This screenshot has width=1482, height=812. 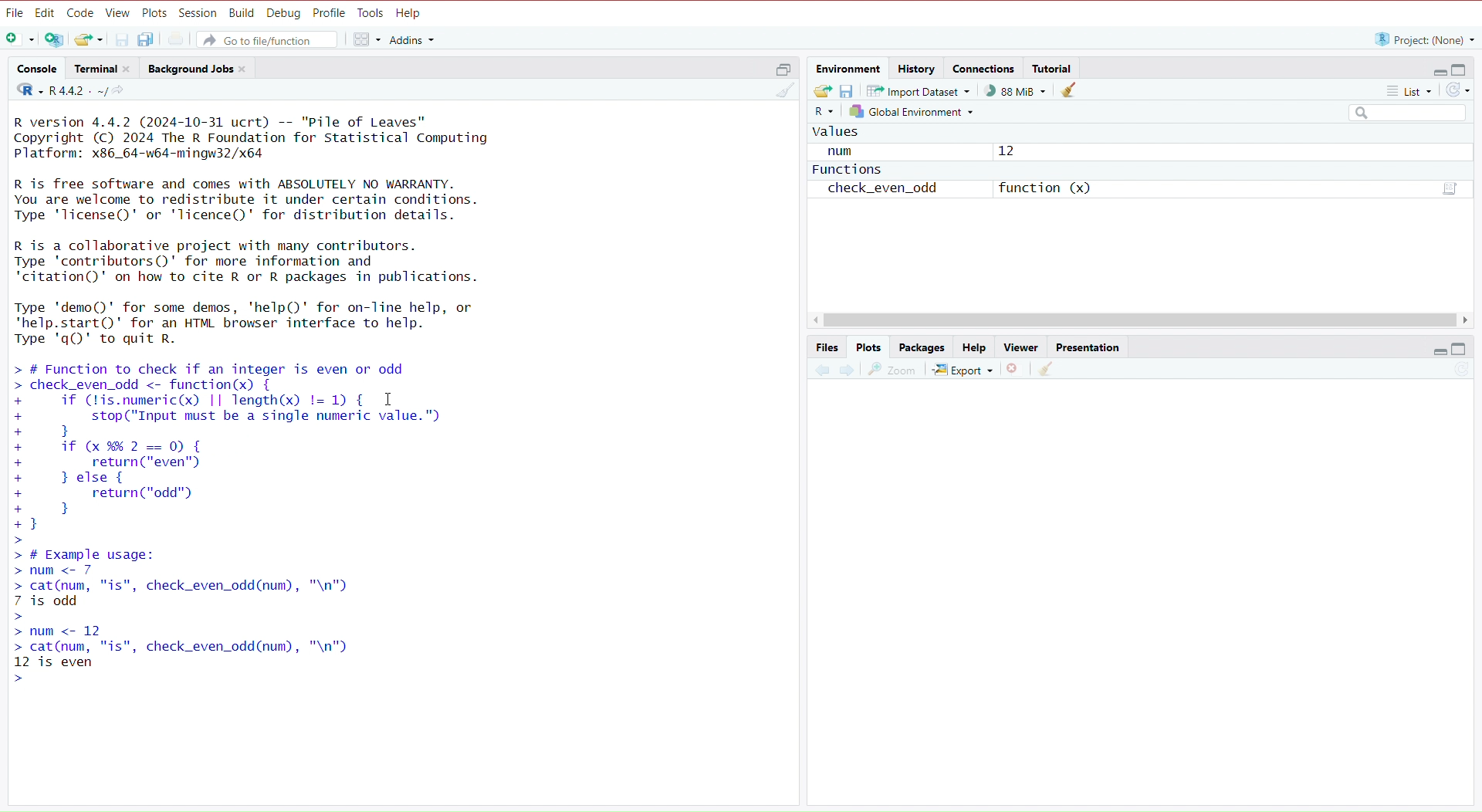 What do you see at coordinates (200, 70) in the screenshot?
I see `background jobs` at bounding box center [200, 70].